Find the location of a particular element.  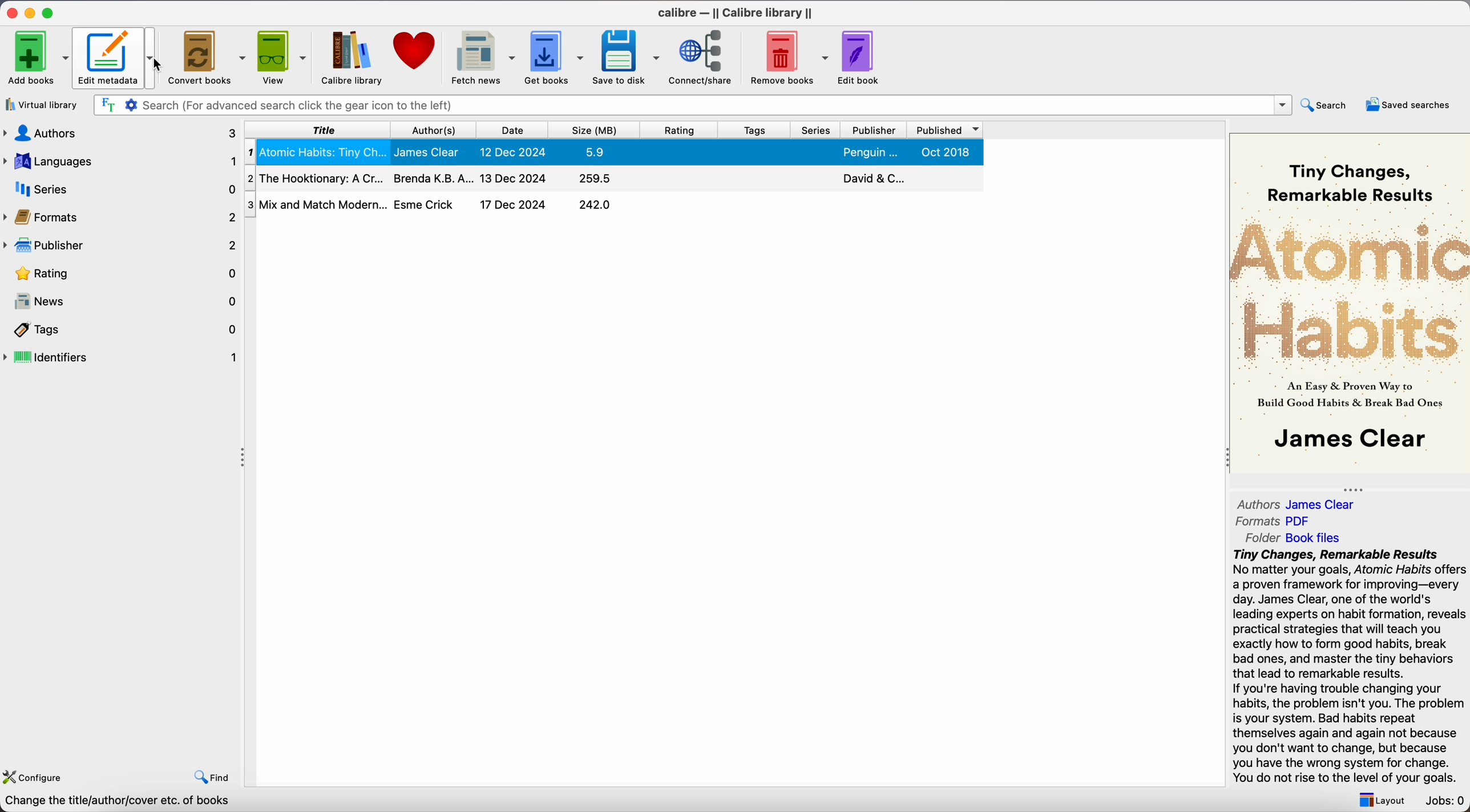

calibre 7.22 created by Kovid Goyal [3 books] is located at coordinates (131, 802).